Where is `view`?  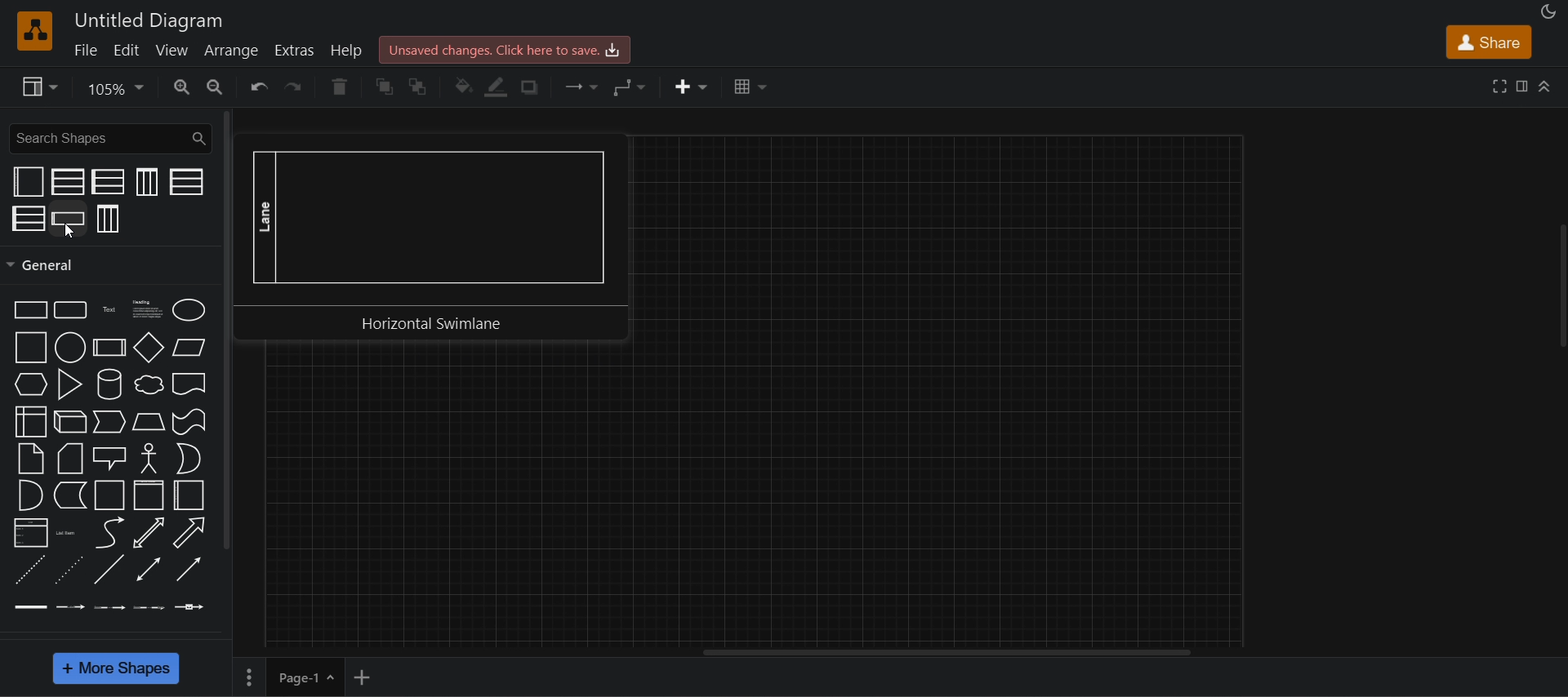
view is located at coordinates (36, 87).